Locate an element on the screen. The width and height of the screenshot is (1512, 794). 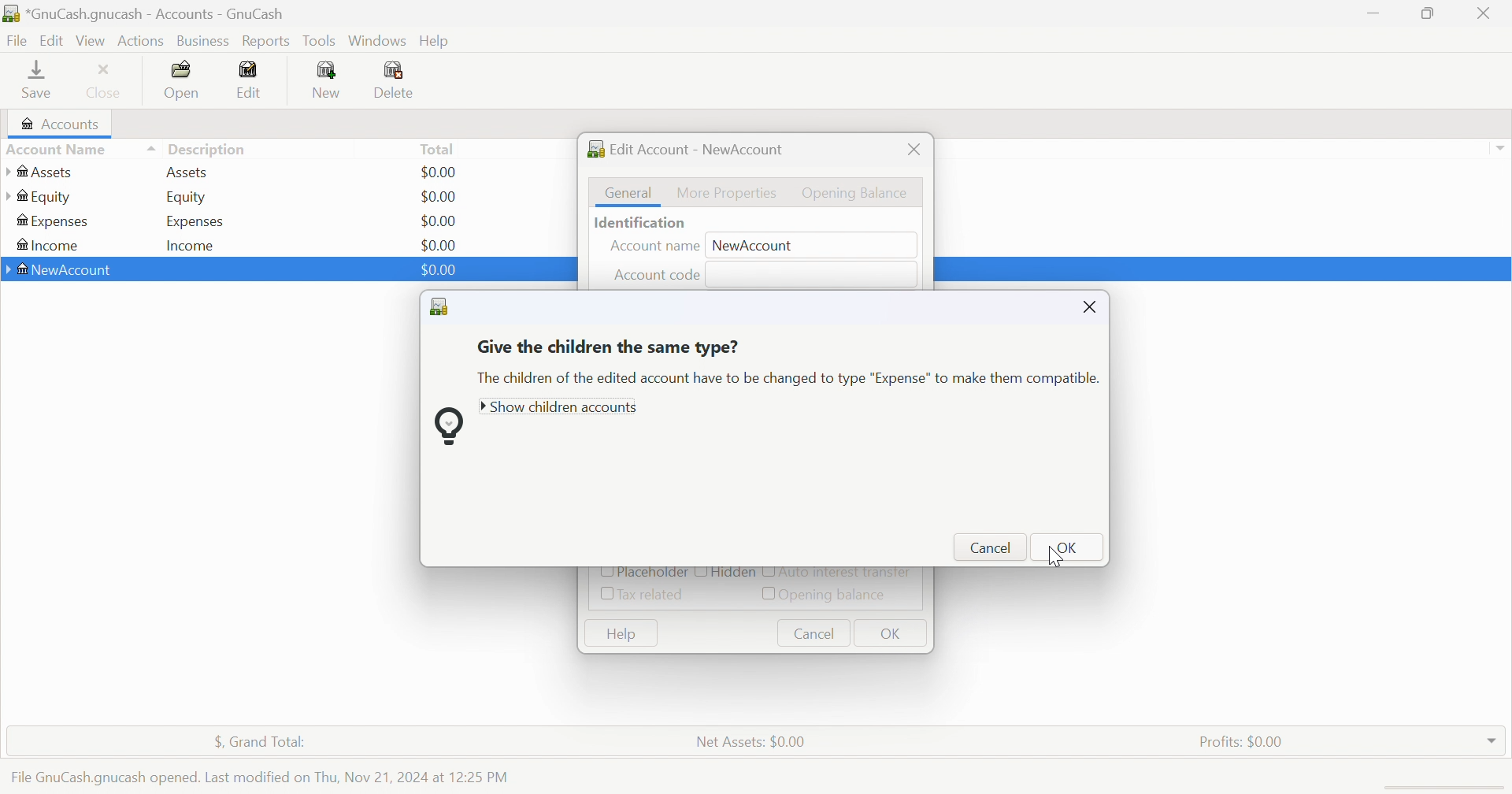
NewAccount is located at coordinates (760, 244).